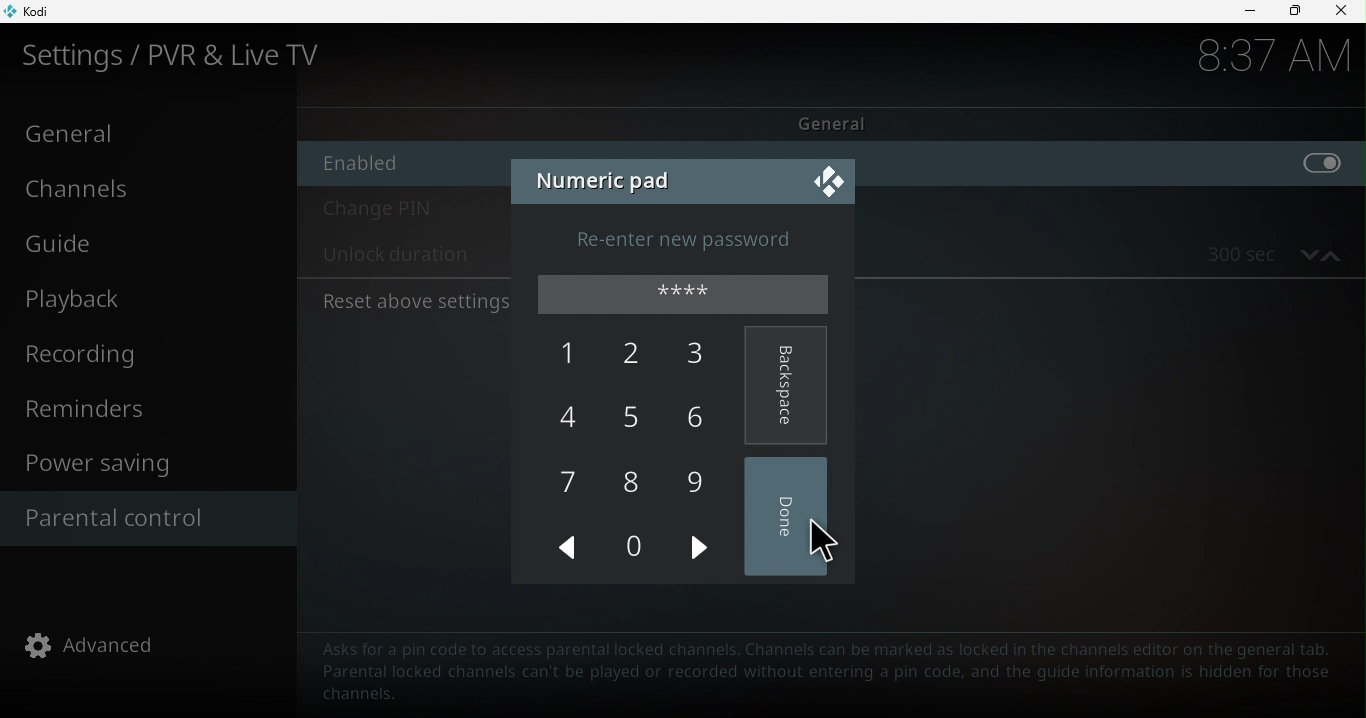 The height and width of the screenshot is (718, 1366). What do you see at coordinates (835, 123) in the screenshot?
I see `General` at bounding box center [835, 123].